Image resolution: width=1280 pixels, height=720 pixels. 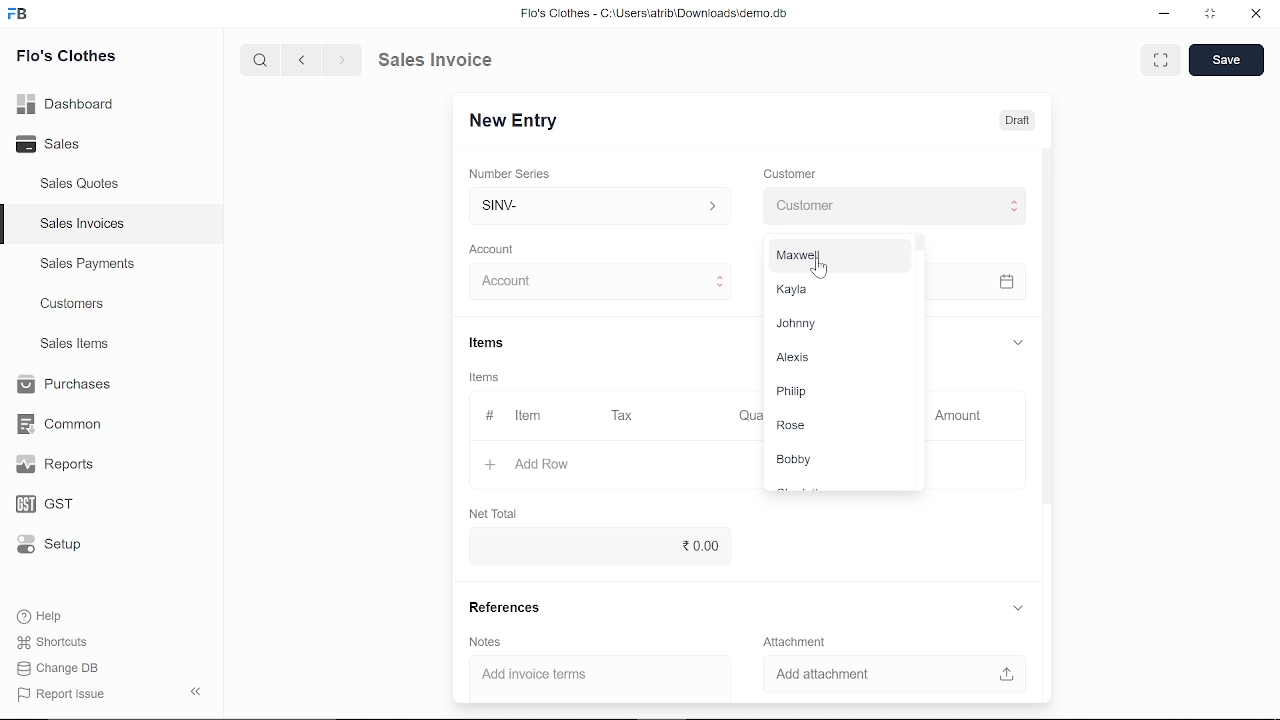 I want to click on hide, so click(x=197, y=689).